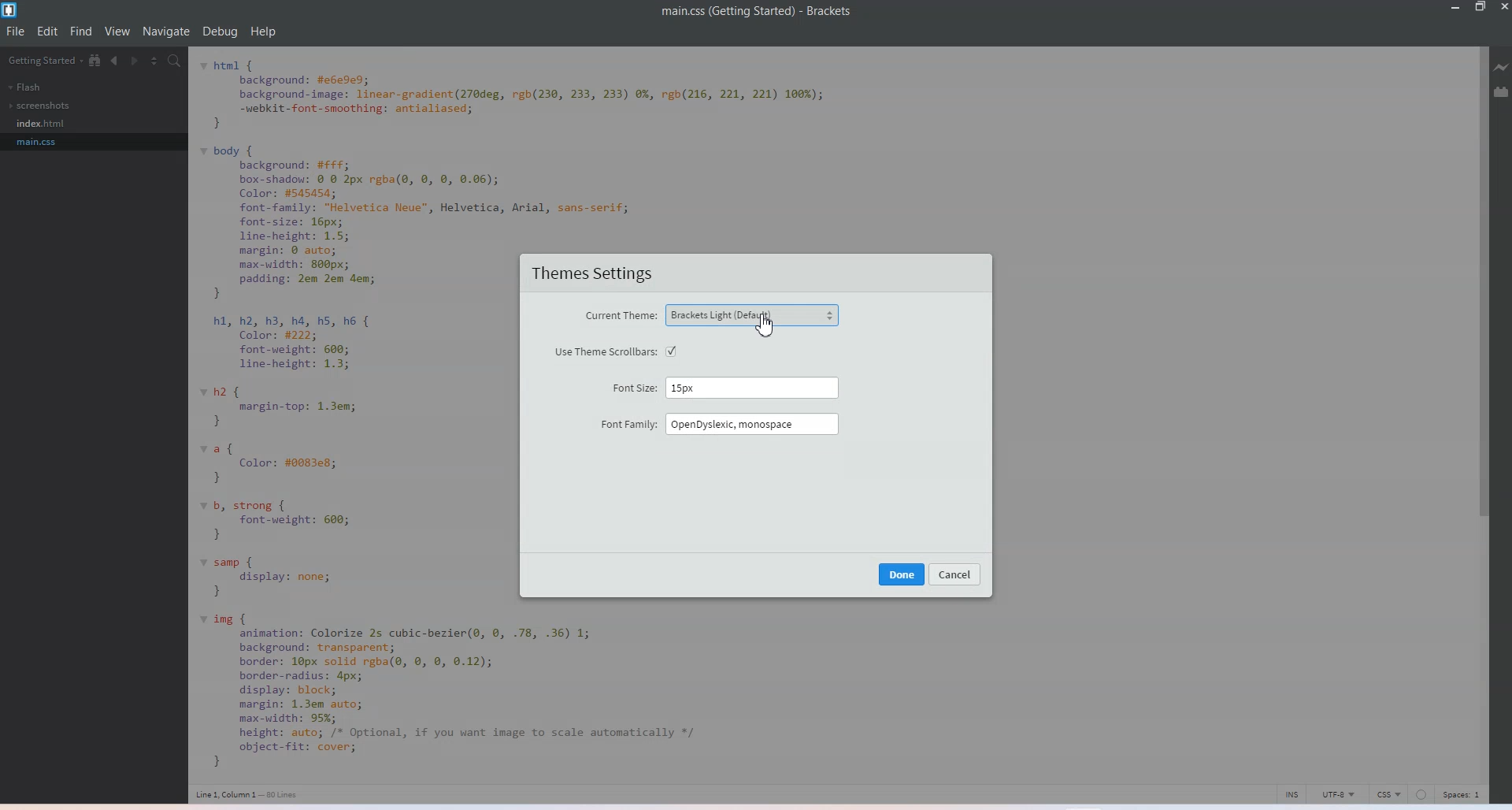 This screenshot has height=810, width=1512. What do you see at coordinates (96, 61) in the screenshot?
I see `View in Tree file` at bounding box center [96, 61].